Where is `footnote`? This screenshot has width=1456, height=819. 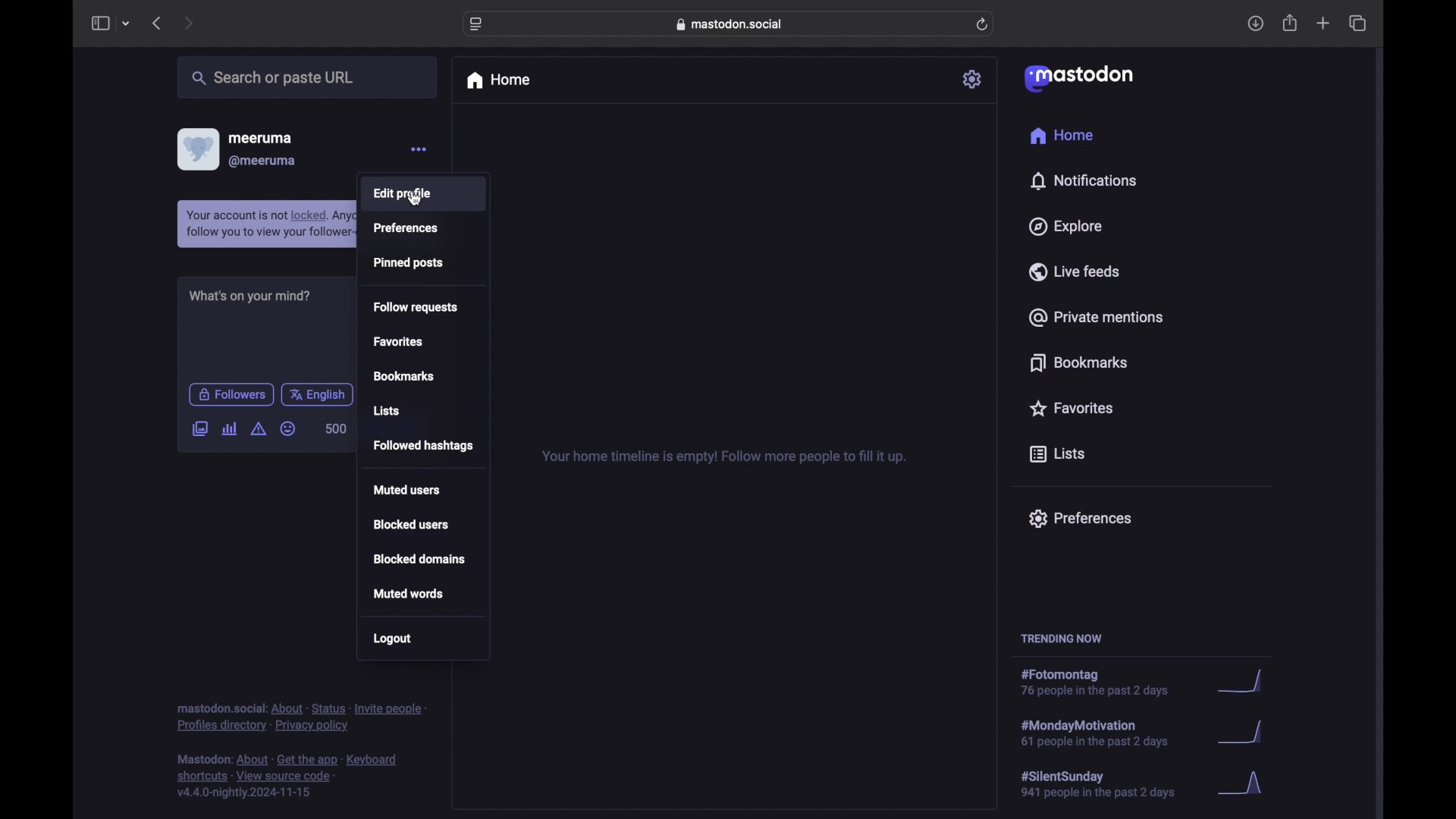 footnote is located at coordinates (287, 777).